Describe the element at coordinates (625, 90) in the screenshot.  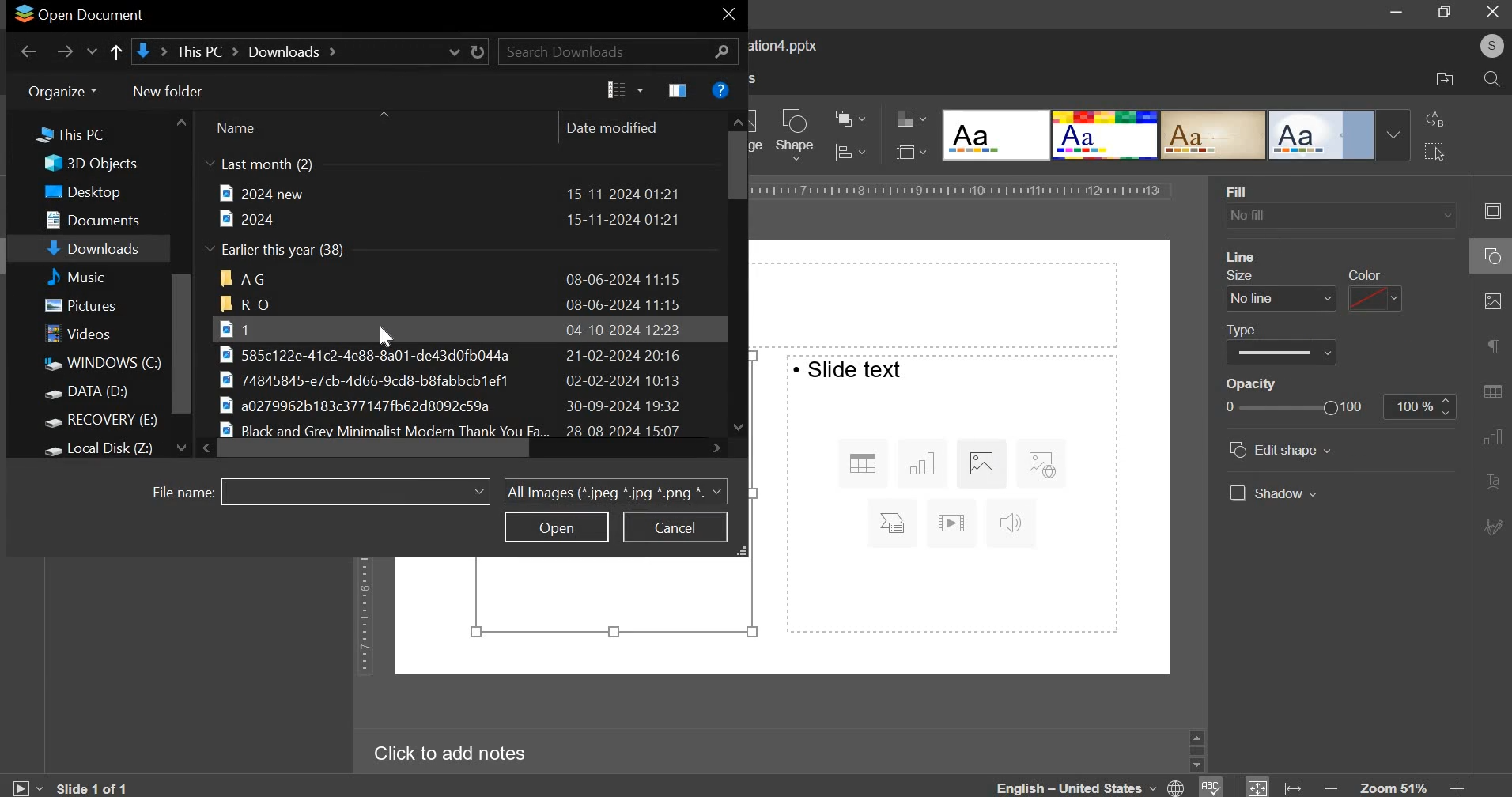
I see `sort` at that location.